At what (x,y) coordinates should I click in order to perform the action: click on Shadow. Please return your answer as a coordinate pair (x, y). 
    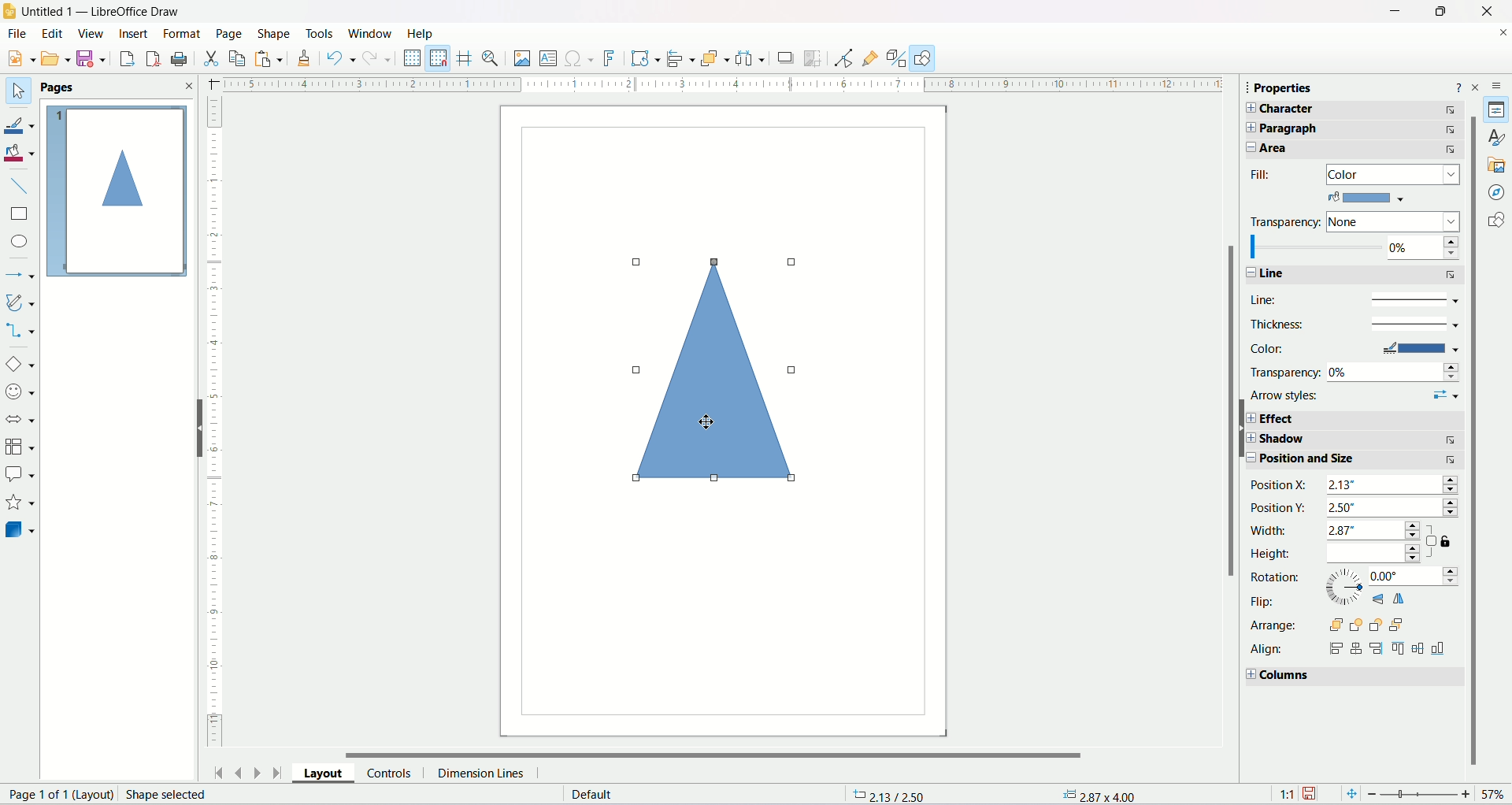
    Looking at the image, I should click on (786, 59).